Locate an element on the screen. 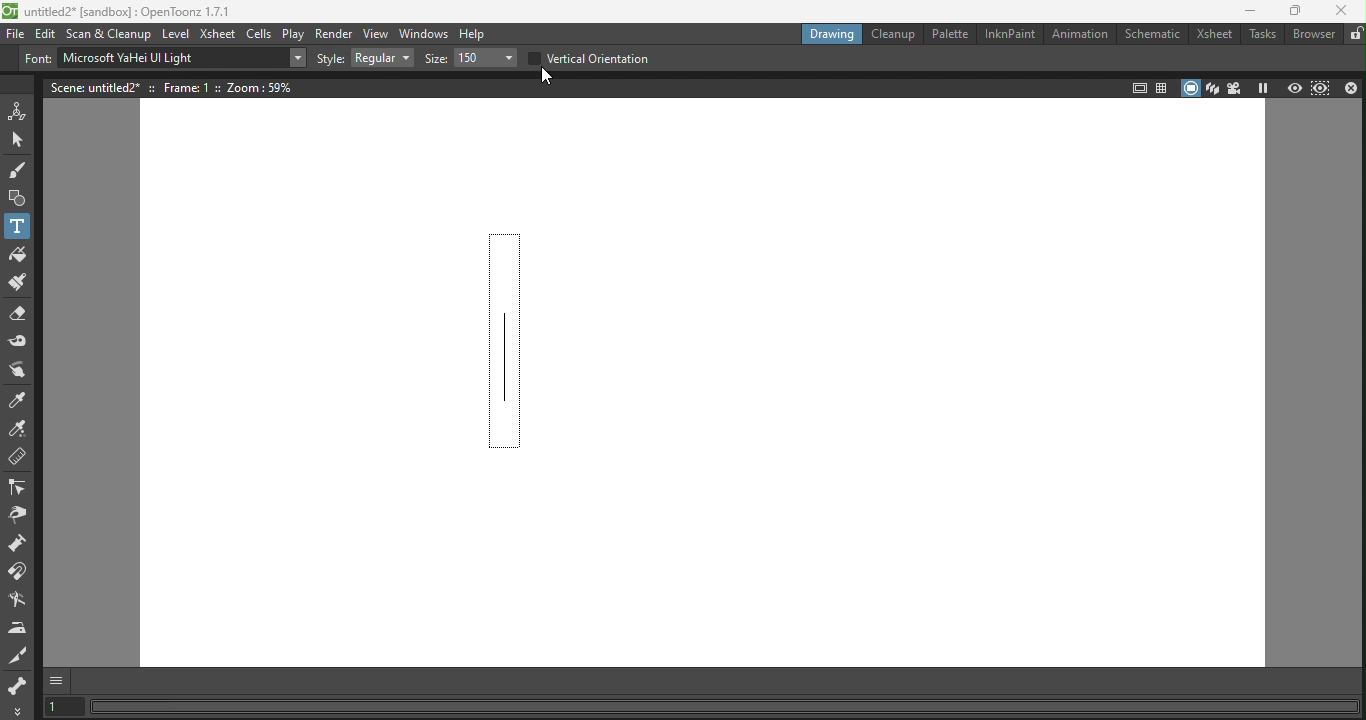 The height and width of the screenshot is (720, 1366). Play is located at coordinates (293, 34).